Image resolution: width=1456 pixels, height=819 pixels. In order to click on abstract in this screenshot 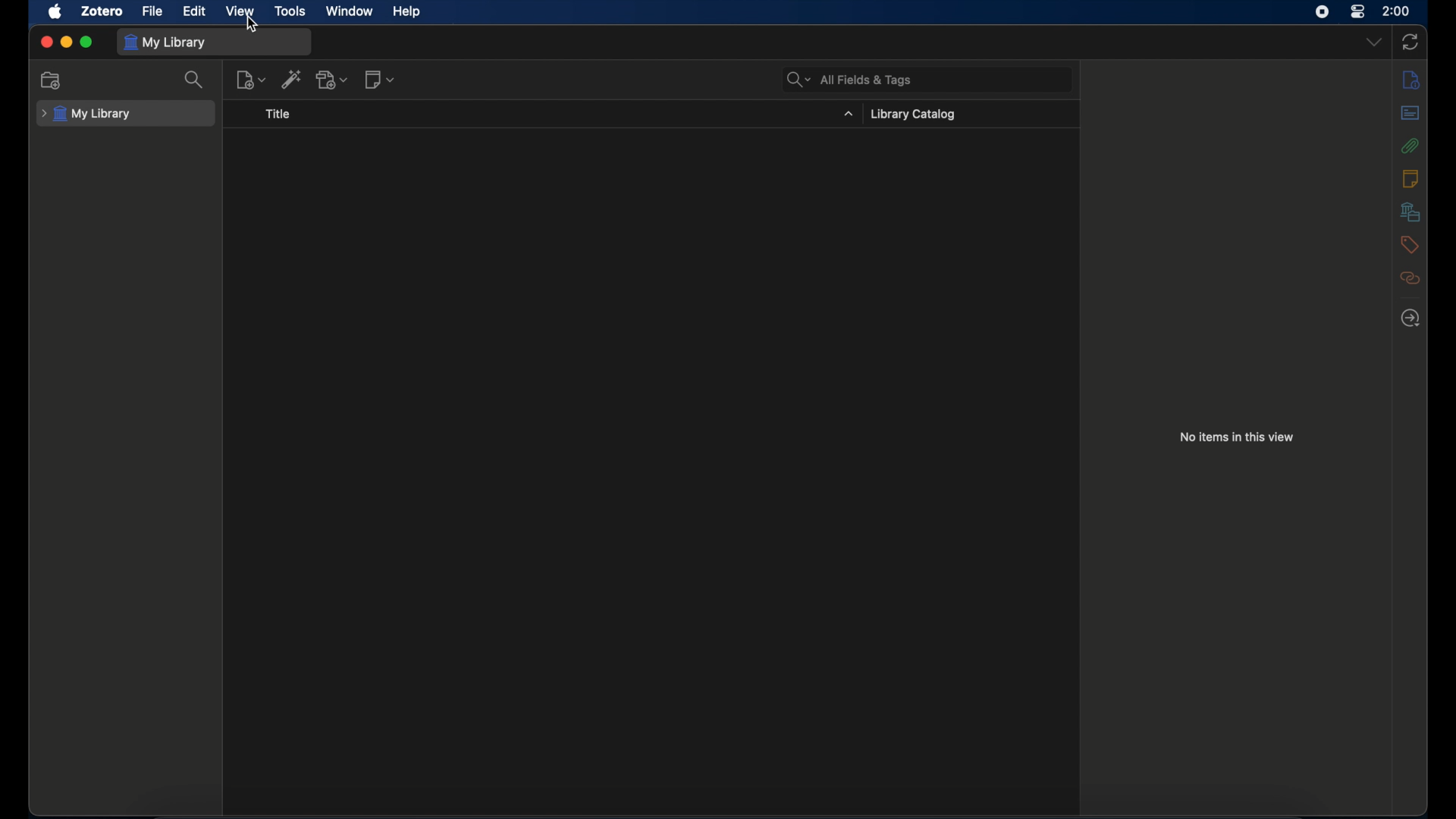, I will do `click(1410, 113)`.